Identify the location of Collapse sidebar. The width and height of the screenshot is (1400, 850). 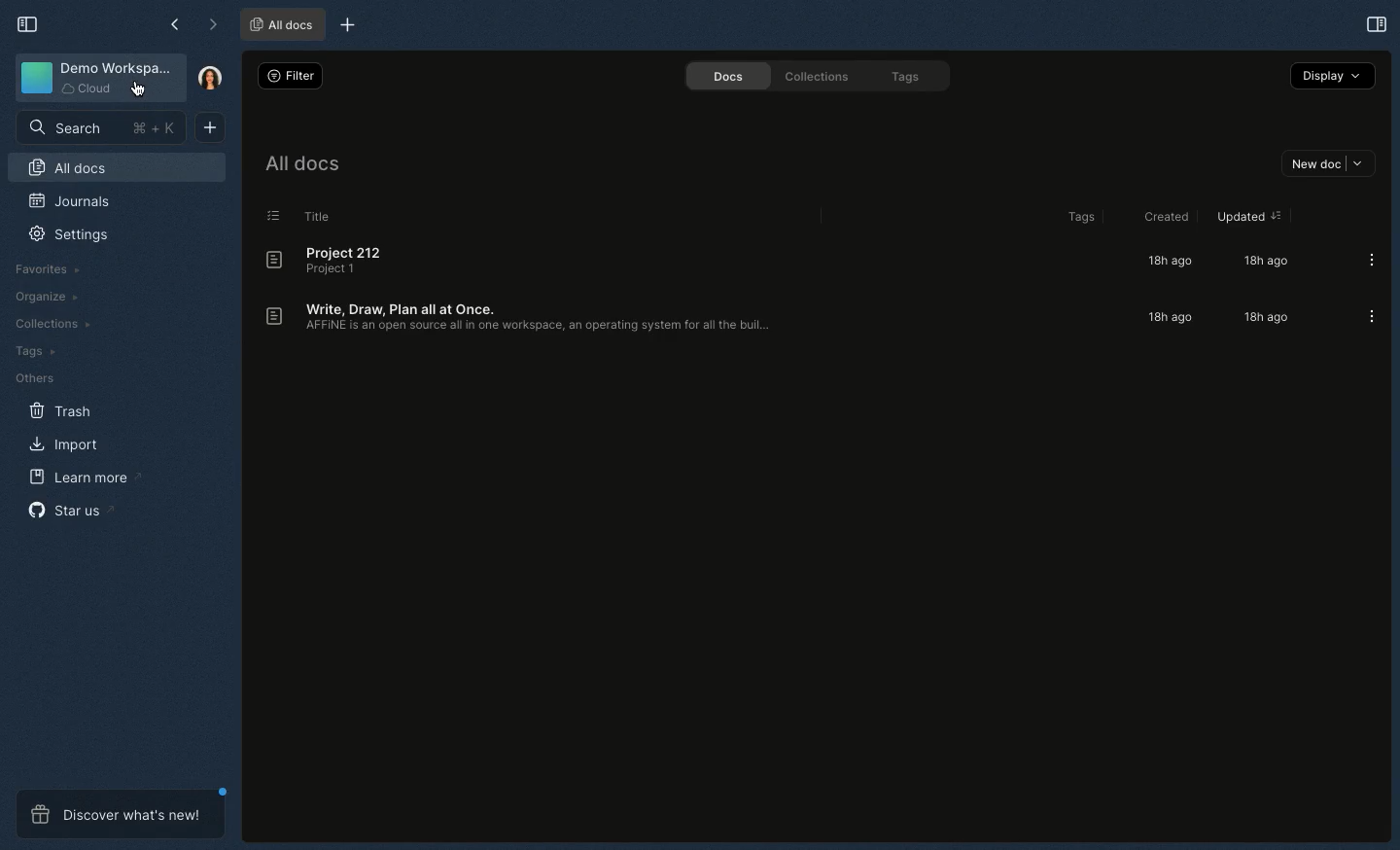
(25, 25).